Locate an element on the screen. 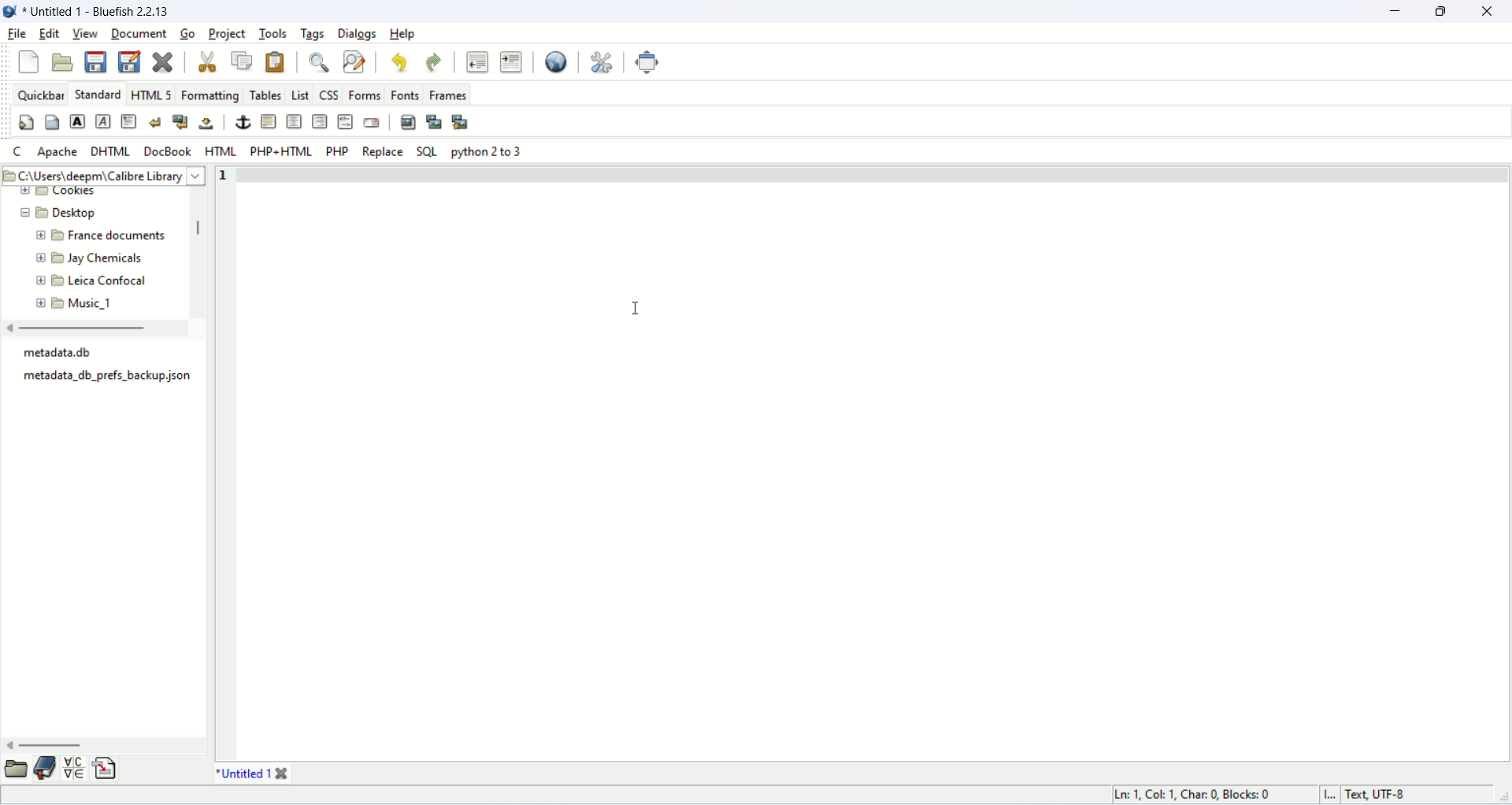  folder name is located at coordinates (52, 213).